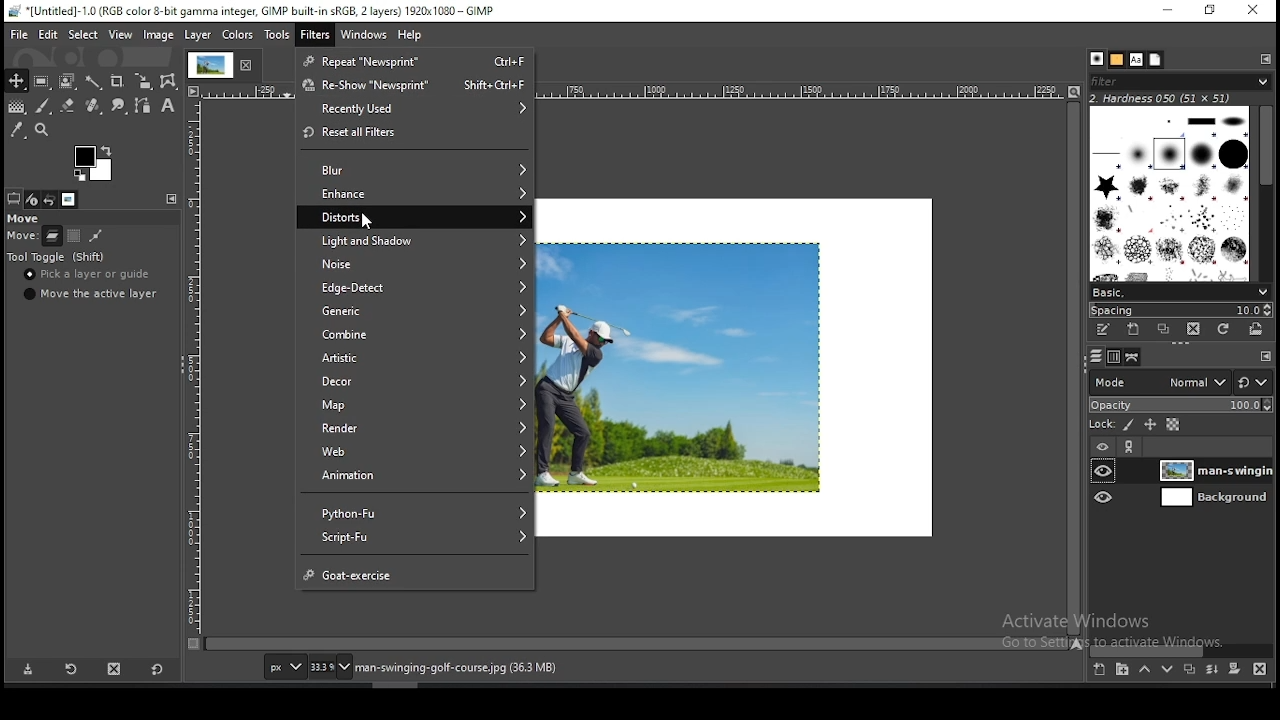  What do you see at coordinates (42, 82) in the screenshot?
I see `rectangle select tool` at bounding box center [42, 82].